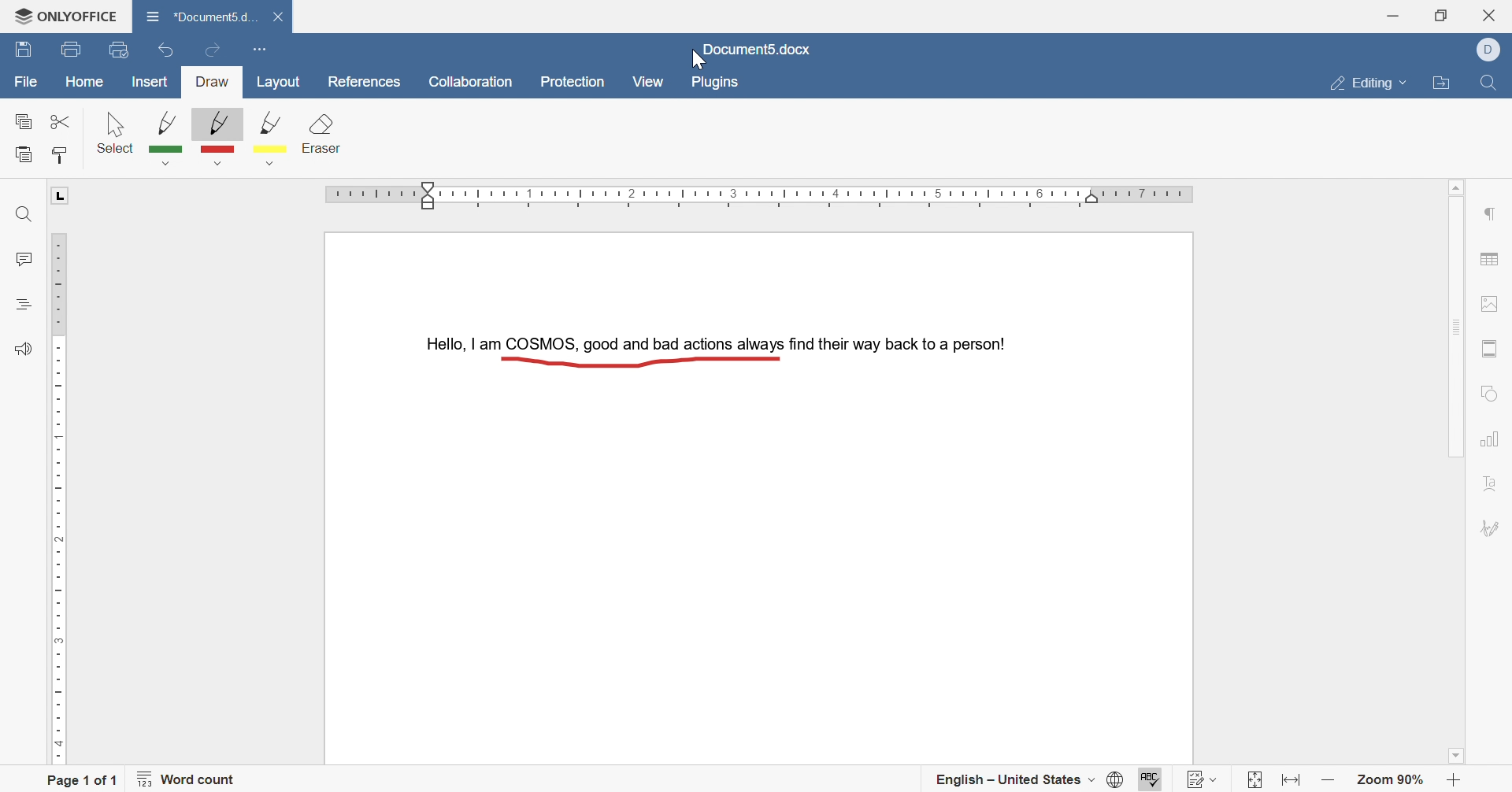 The image size is (1512, 792). What do you see at coordinates (1489, 487) in the screenshot?
I see `text art settings` at bounding box center [1489, 487].